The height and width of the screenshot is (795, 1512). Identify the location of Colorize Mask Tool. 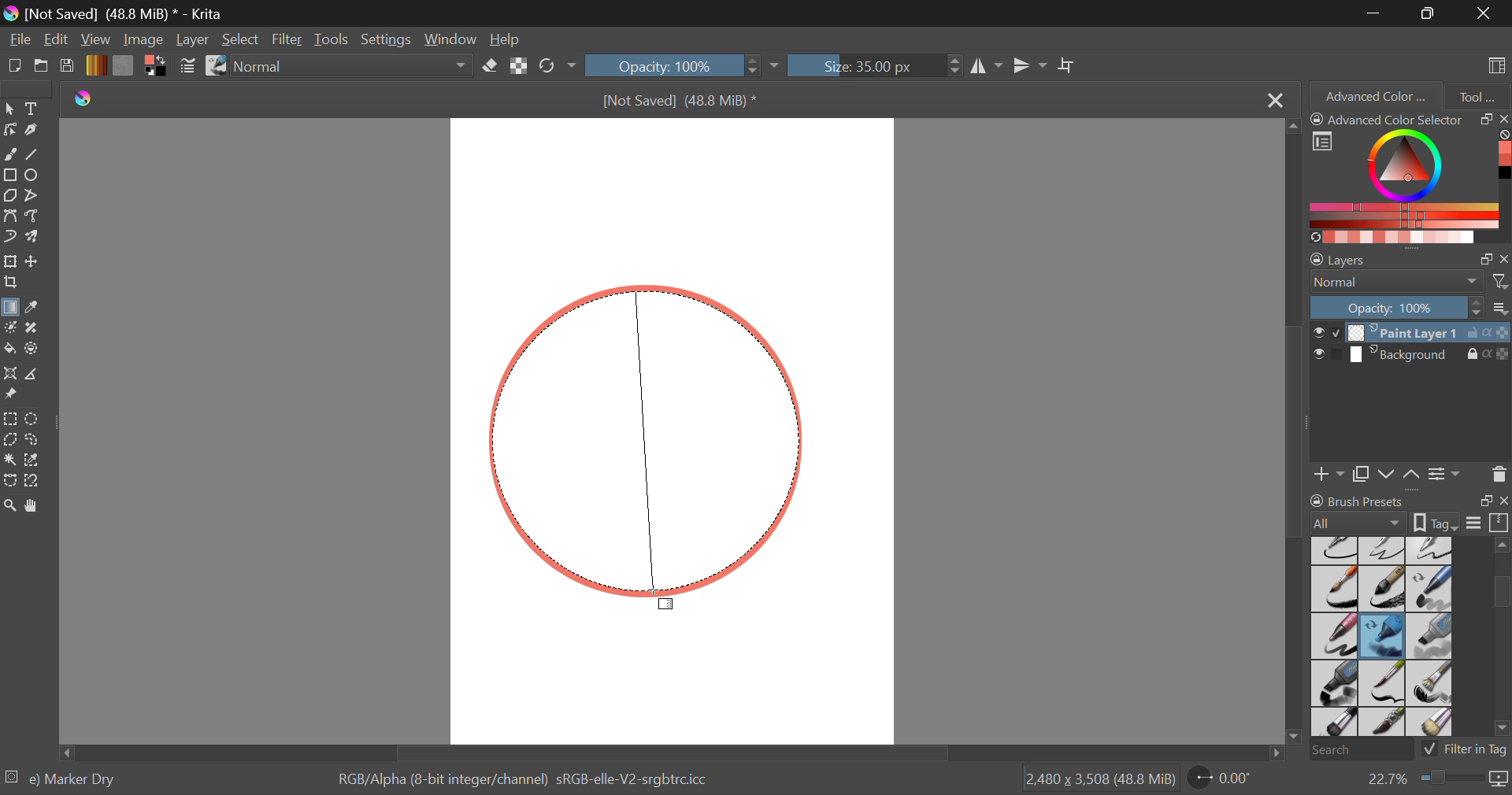
(11, 329).